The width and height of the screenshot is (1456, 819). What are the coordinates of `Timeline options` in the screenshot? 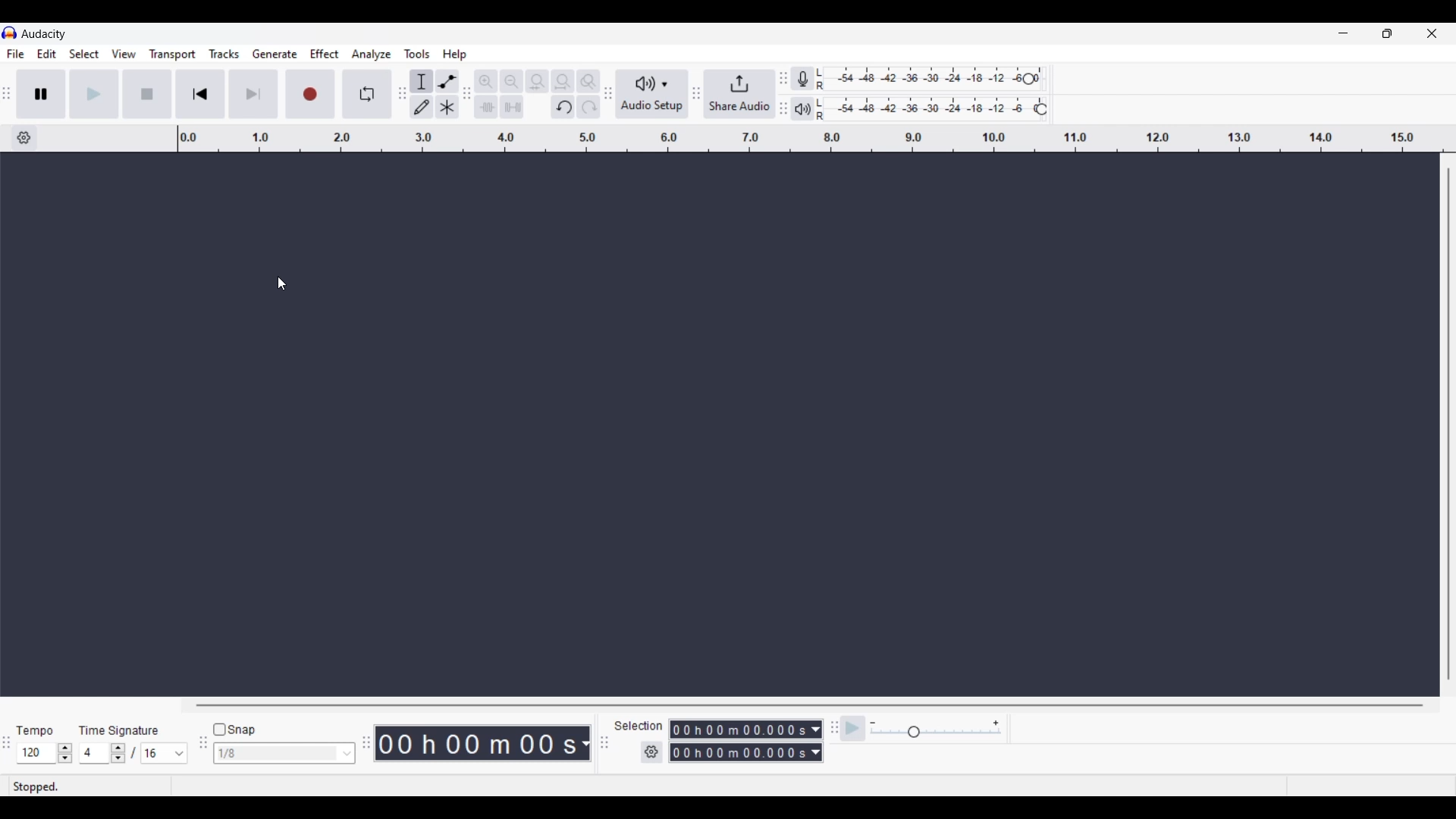 It's located at (24, 138).